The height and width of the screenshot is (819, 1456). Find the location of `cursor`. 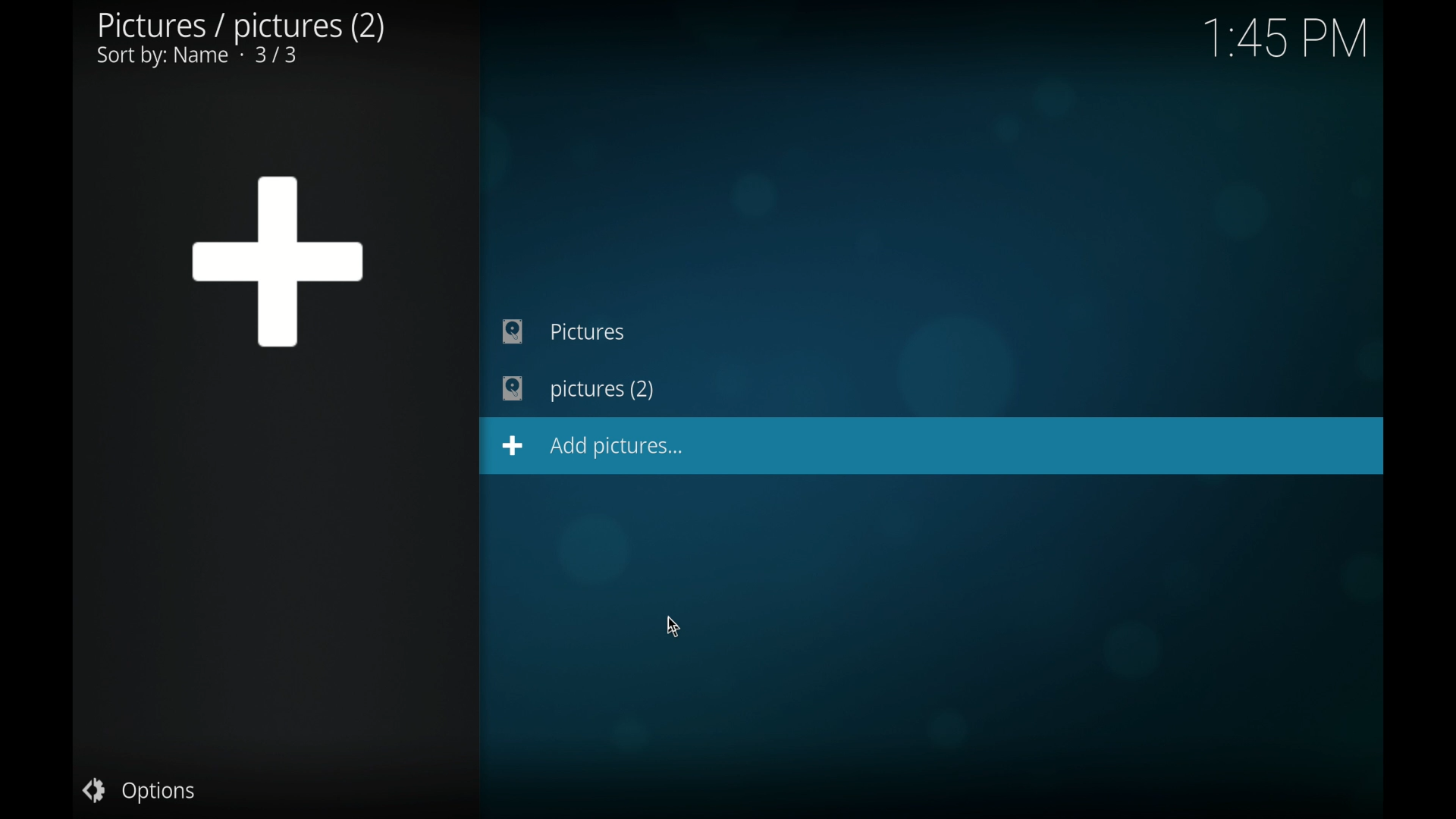

cursor is located at coordinates (674, 629).